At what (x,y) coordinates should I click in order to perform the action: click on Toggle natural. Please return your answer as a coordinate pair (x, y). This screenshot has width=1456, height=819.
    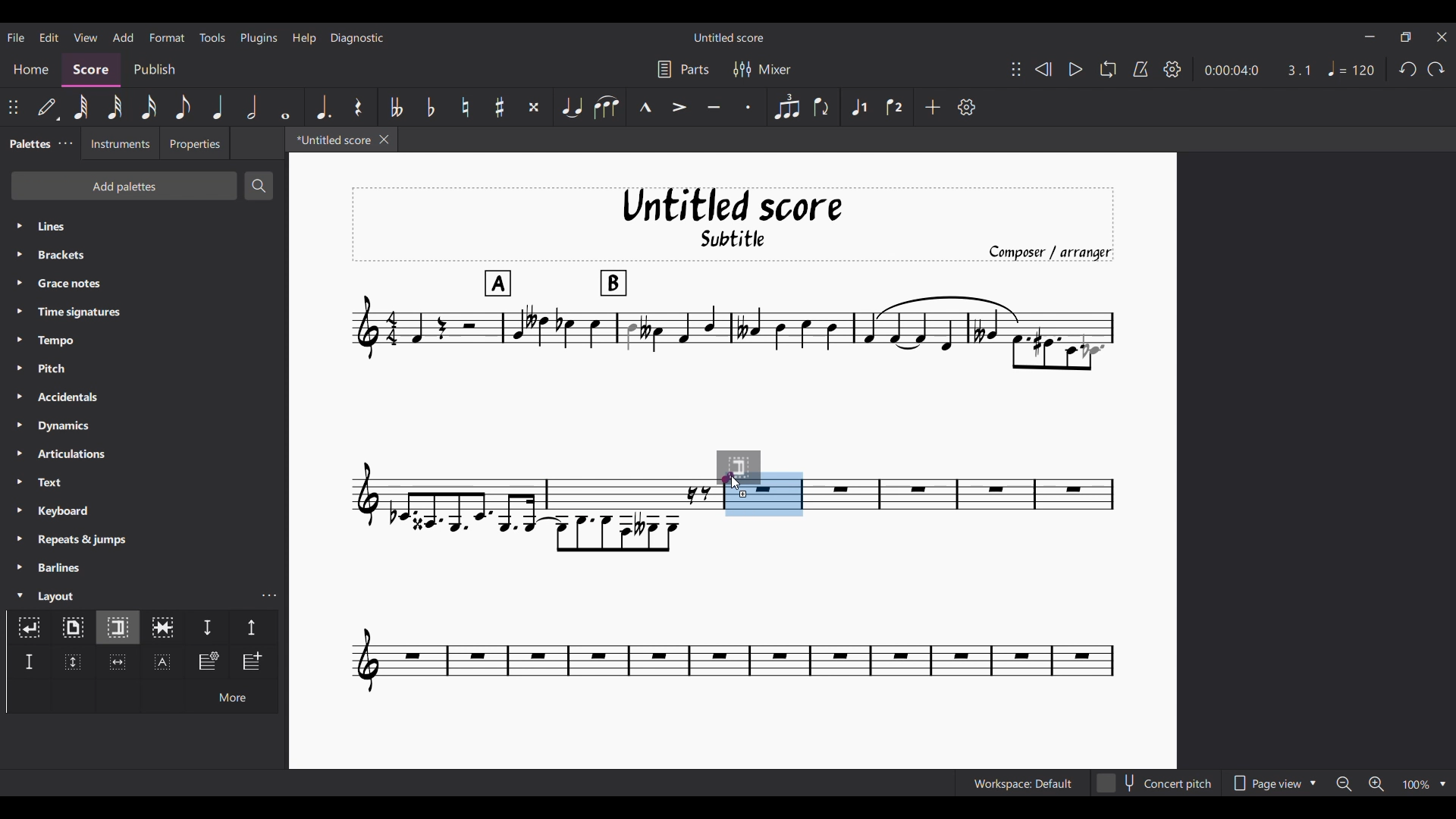
    Looking at the image, I should click on (466, 107).